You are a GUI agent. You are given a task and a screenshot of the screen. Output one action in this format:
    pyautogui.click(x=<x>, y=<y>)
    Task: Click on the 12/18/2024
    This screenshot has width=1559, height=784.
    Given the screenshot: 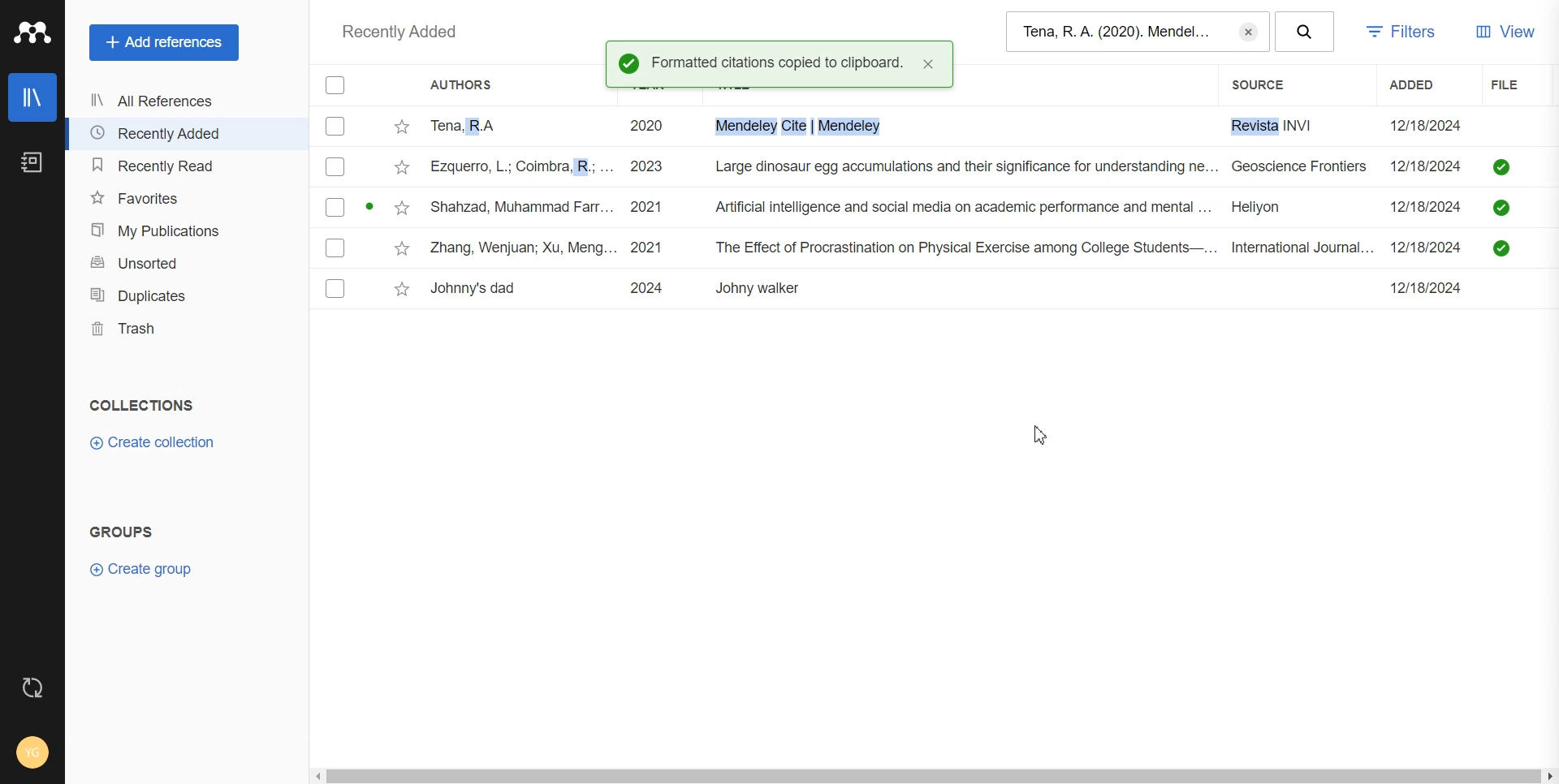 What is the action you would take?
    pyautogui.click(x=1430, y=288)
    